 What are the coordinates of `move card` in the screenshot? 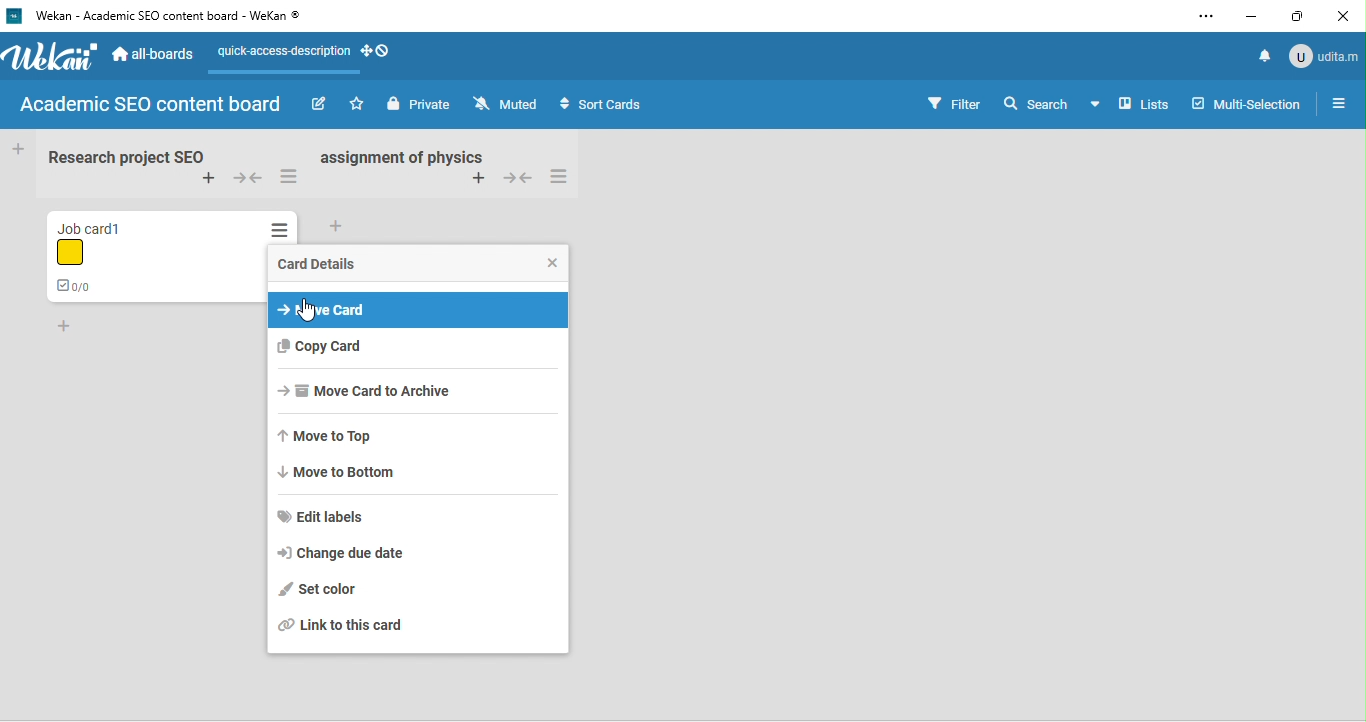 It's located at (418, 312).